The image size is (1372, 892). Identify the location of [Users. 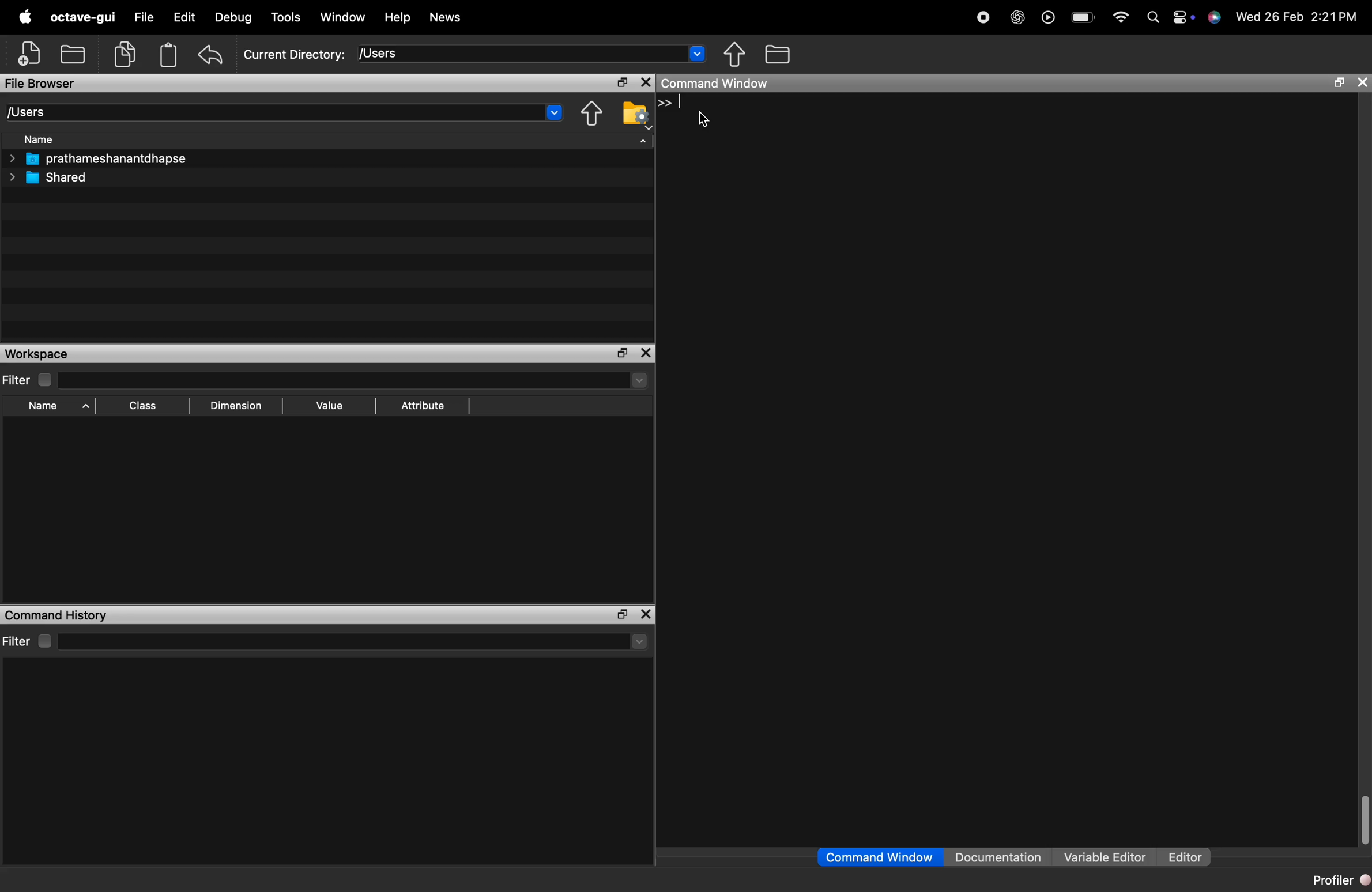
(28, 112).